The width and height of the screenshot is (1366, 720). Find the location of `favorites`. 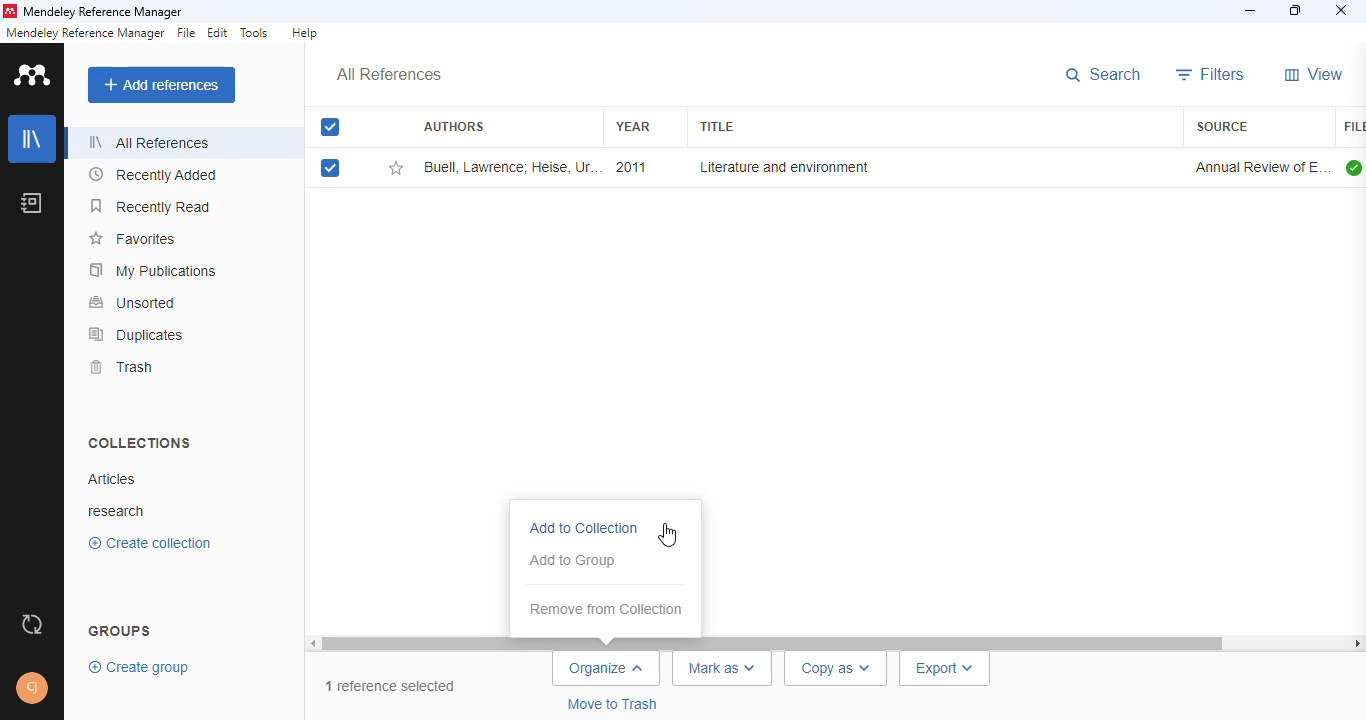

favorites is located at coordinates (135, 239).